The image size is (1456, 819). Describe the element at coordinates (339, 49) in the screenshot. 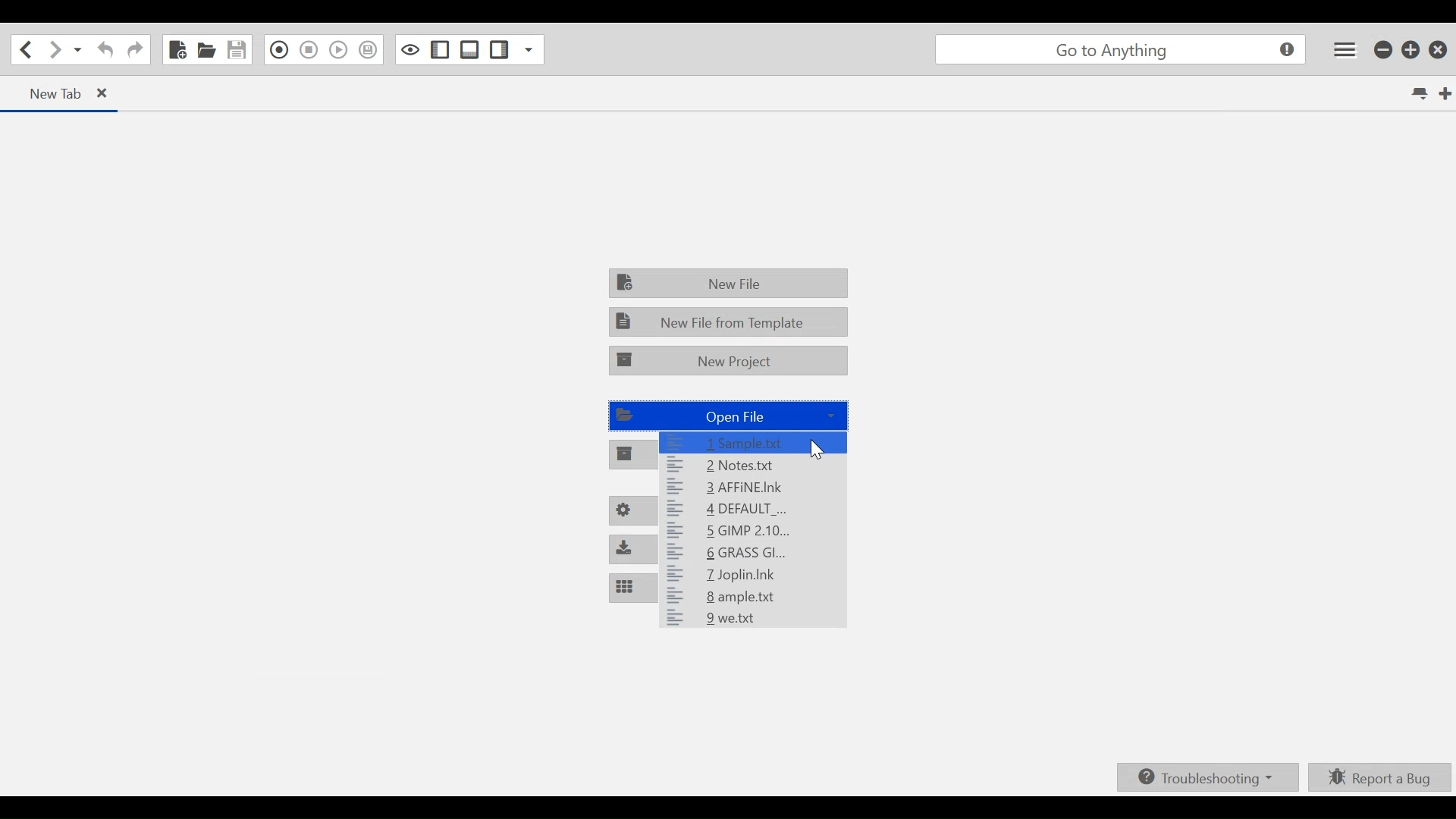

I see `Play Last Macro` at that location.